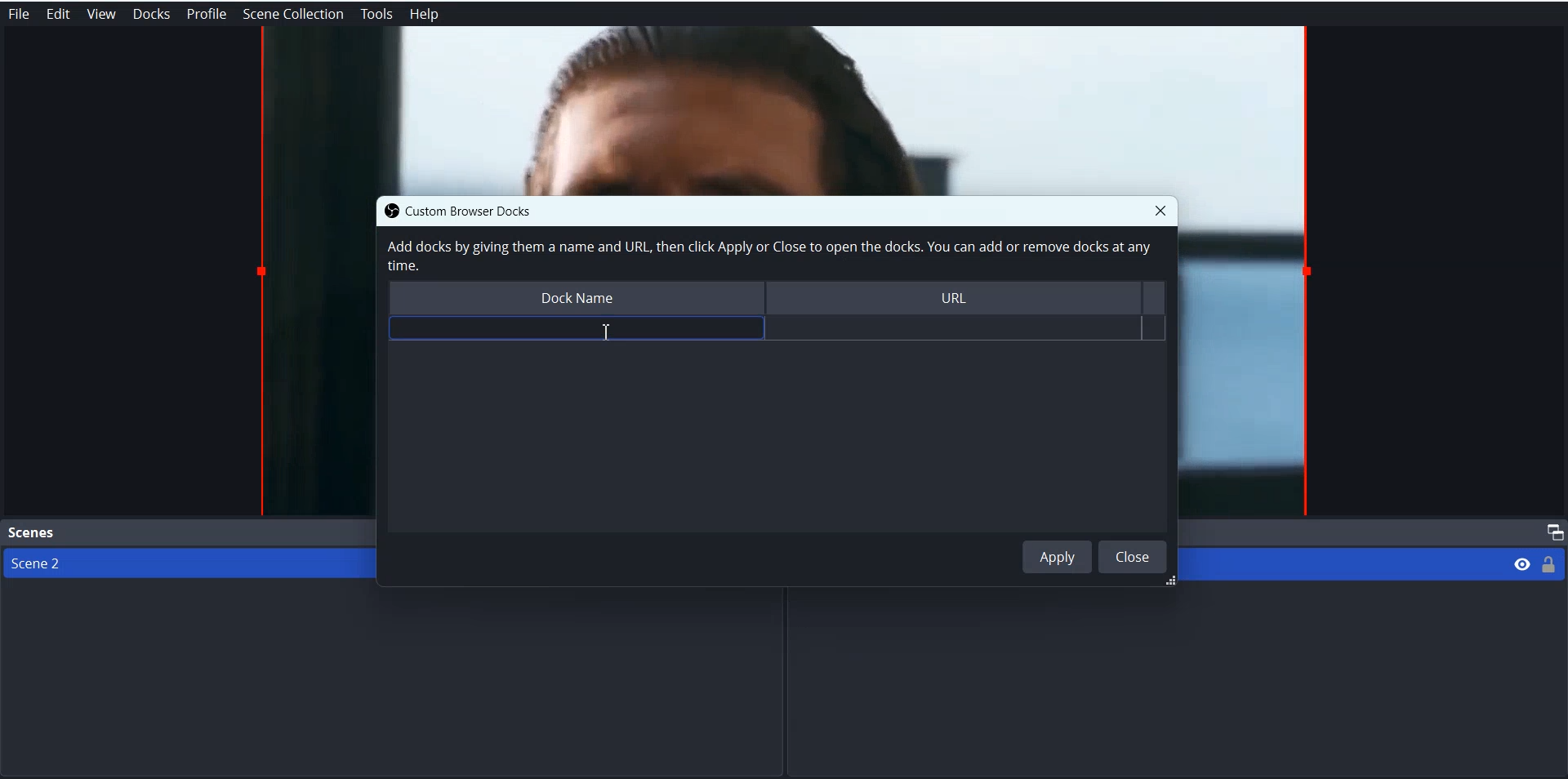 The width and height of the screenshot is (1568, 779). Describe the element at coordinates (1160, 210) in the screenshot. I see `Close` at that location.